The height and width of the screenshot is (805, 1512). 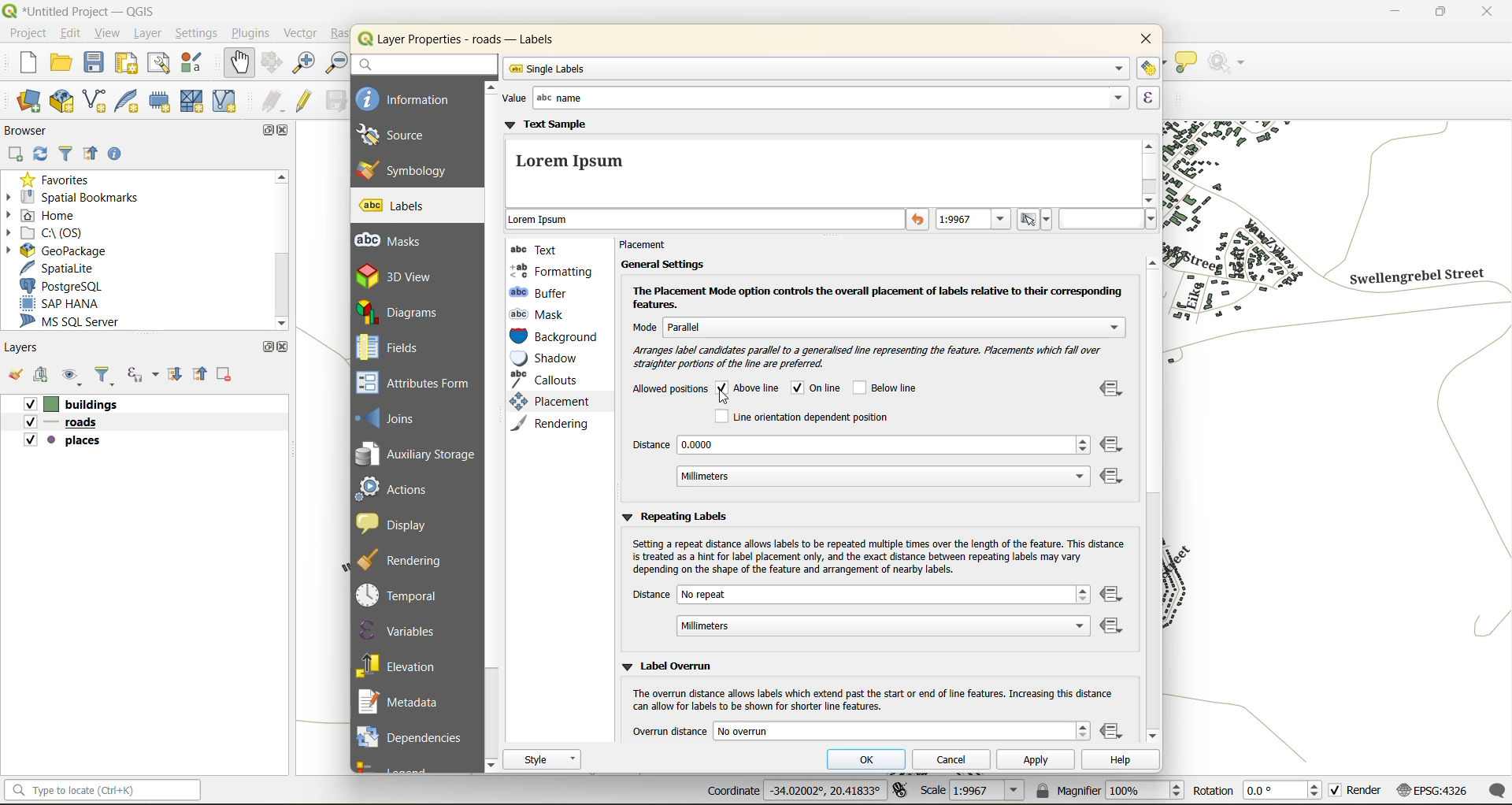 What do you see at coordinates (1148, 98) in the screenshot?
I see `expression builder` at bounding box center [1148, 98].